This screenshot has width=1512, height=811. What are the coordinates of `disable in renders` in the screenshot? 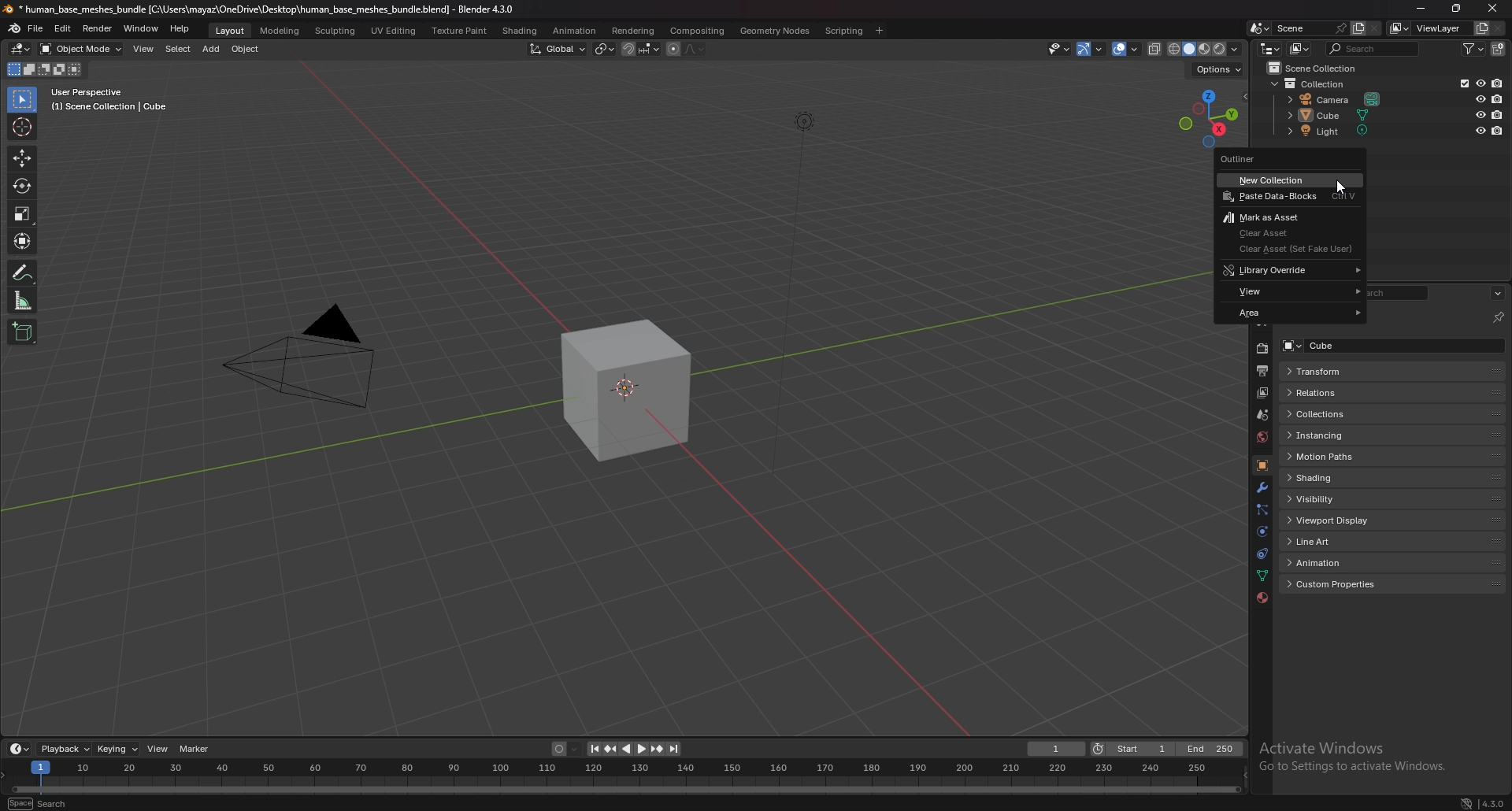 It's located at (1499, 130).